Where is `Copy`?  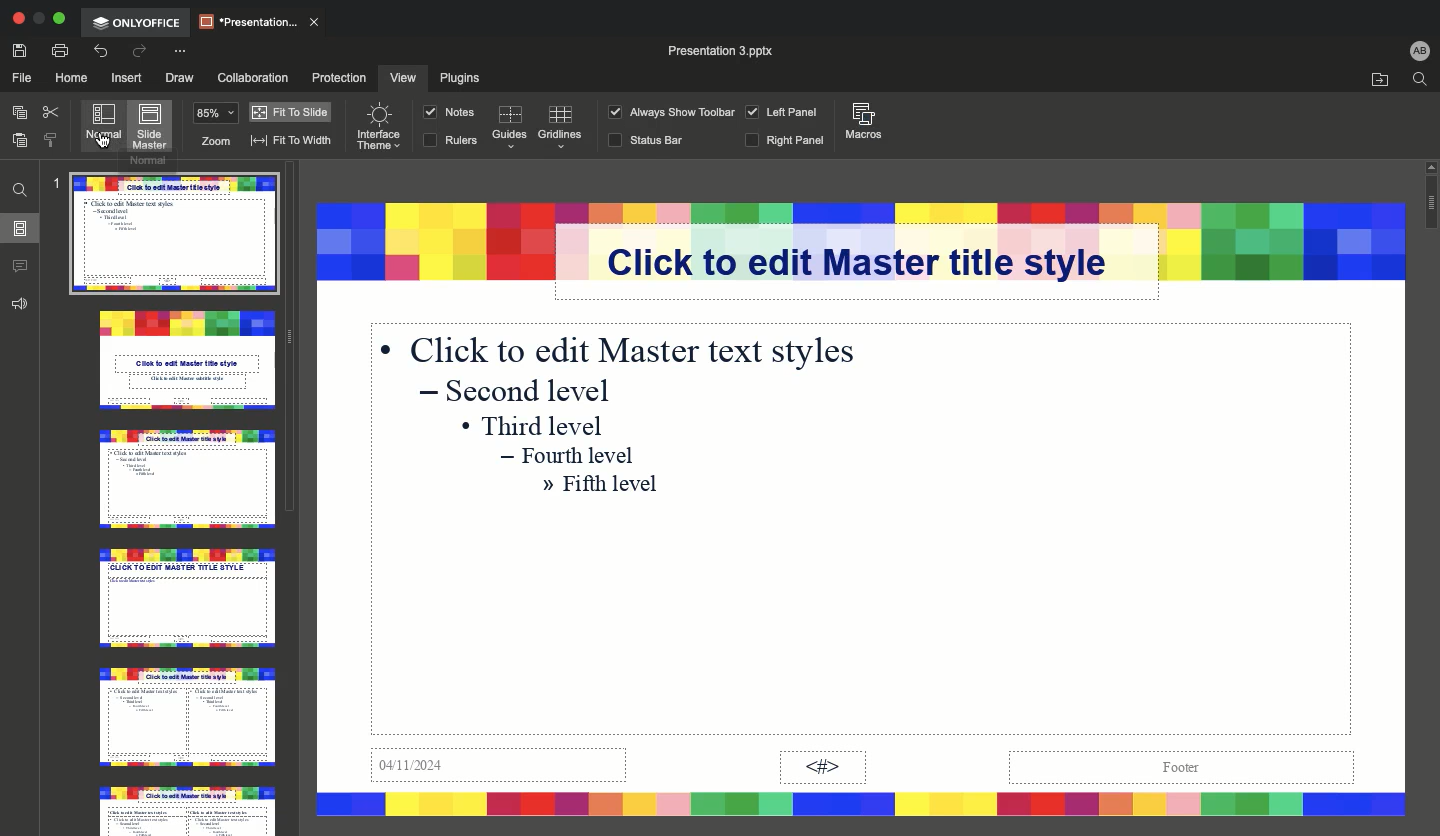 Copy is located at coordinates (19, 115).